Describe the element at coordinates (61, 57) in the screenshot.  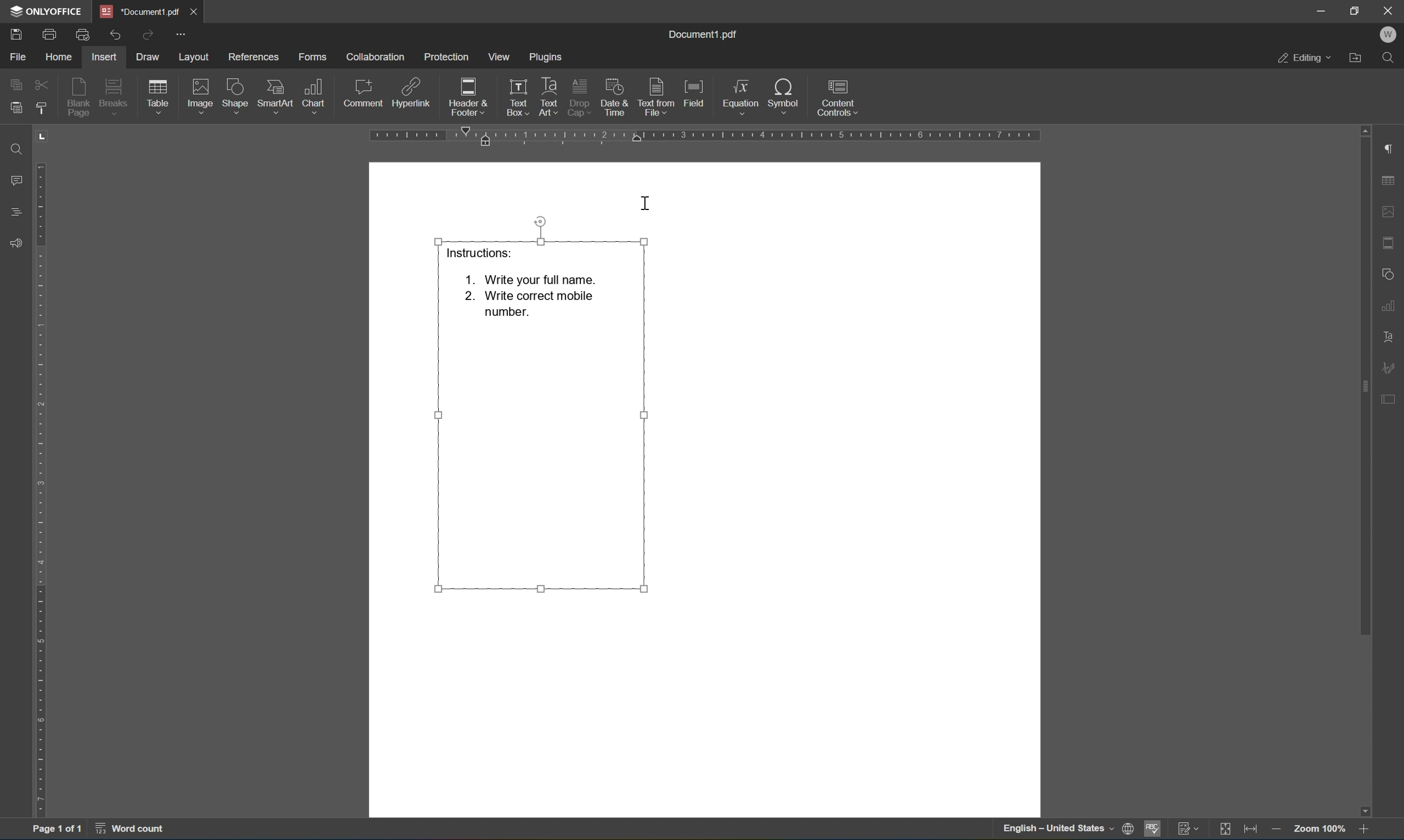
I see `home` at that location.